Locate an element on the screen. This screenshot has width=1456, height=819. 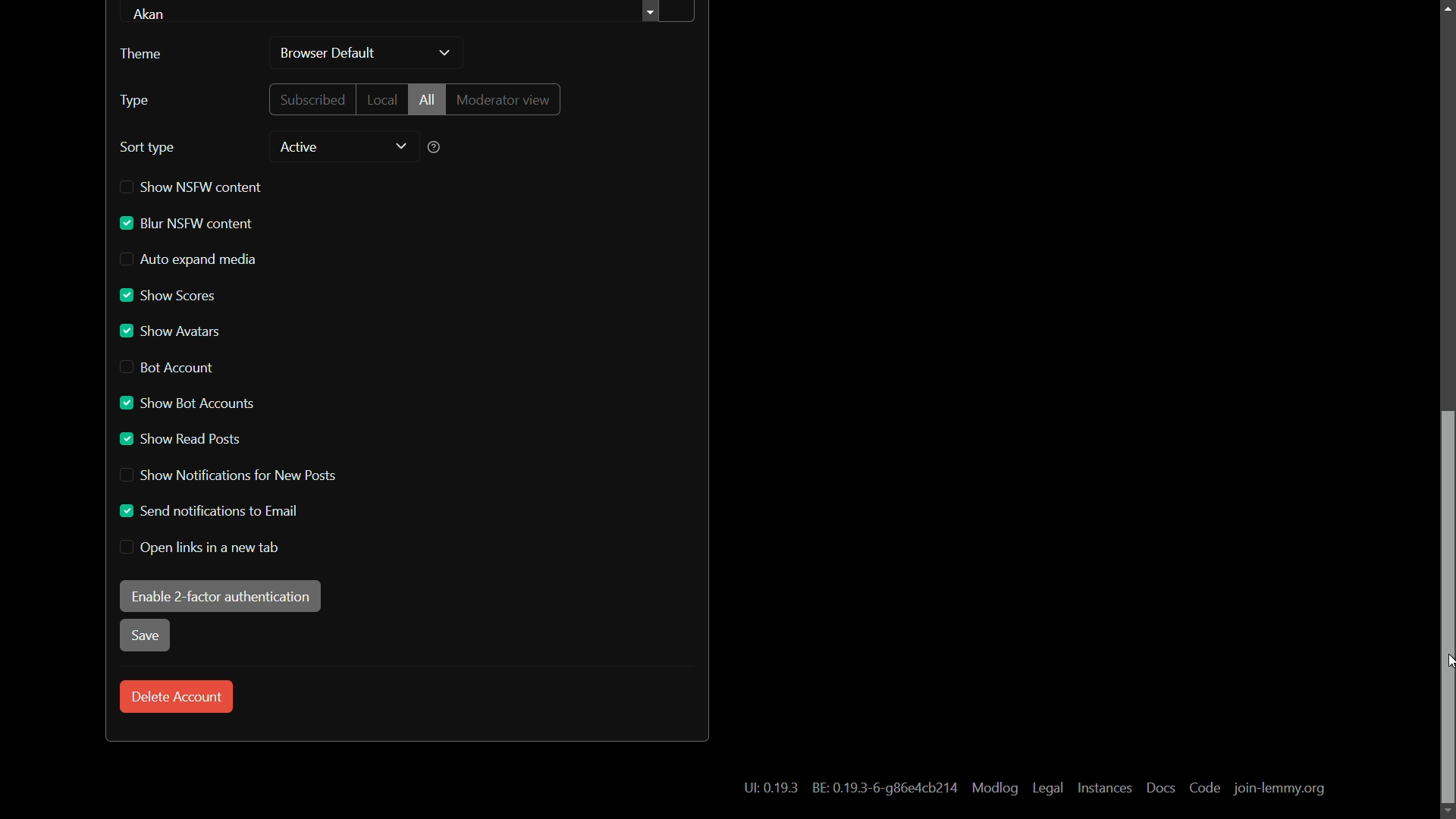
join lemmy.org is located at coordinates (1279, 789).